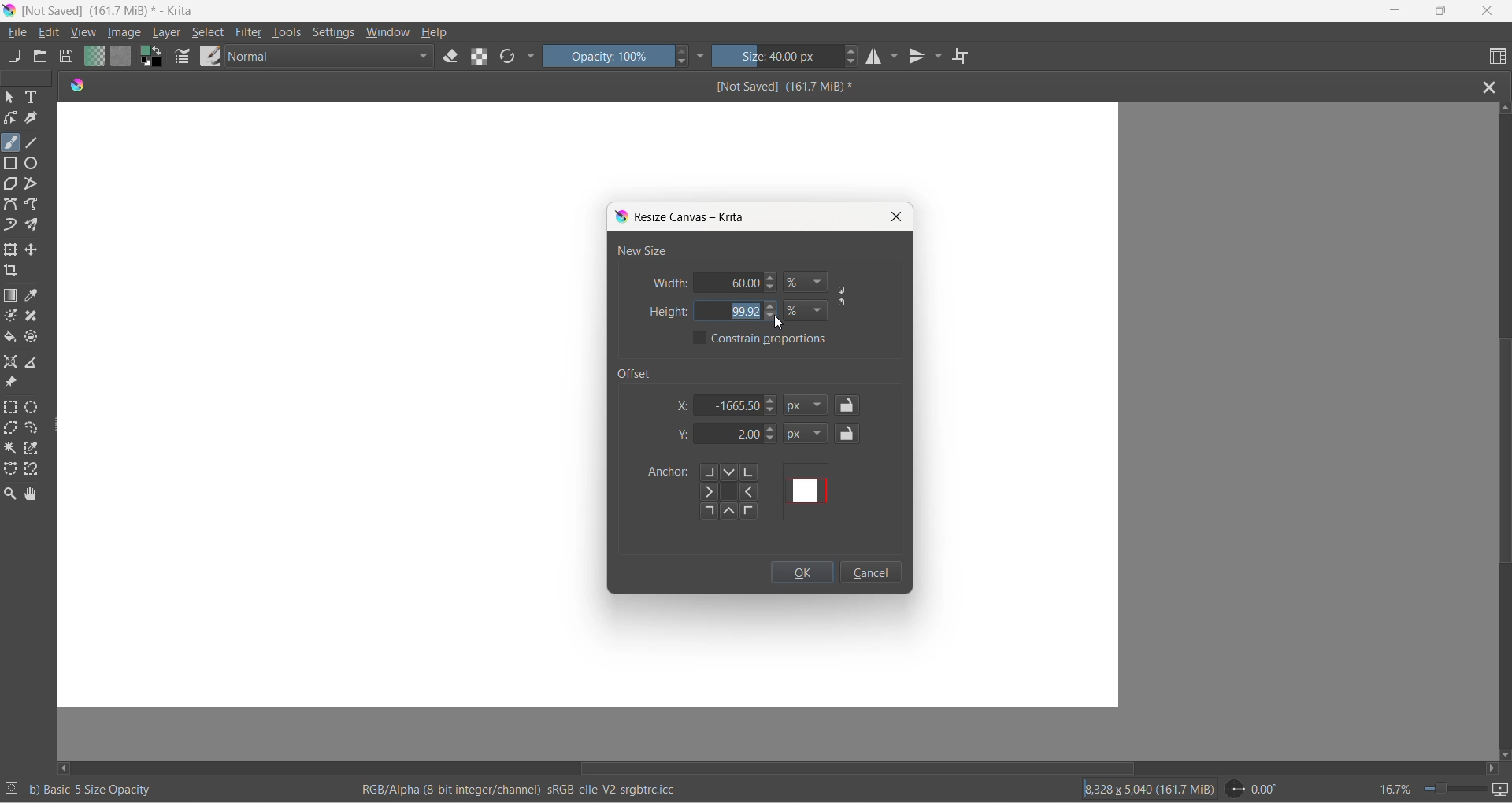  What do you see at coordinates (84, 34) in the screenshot?
I see `view` at bounding box center [84, 34].